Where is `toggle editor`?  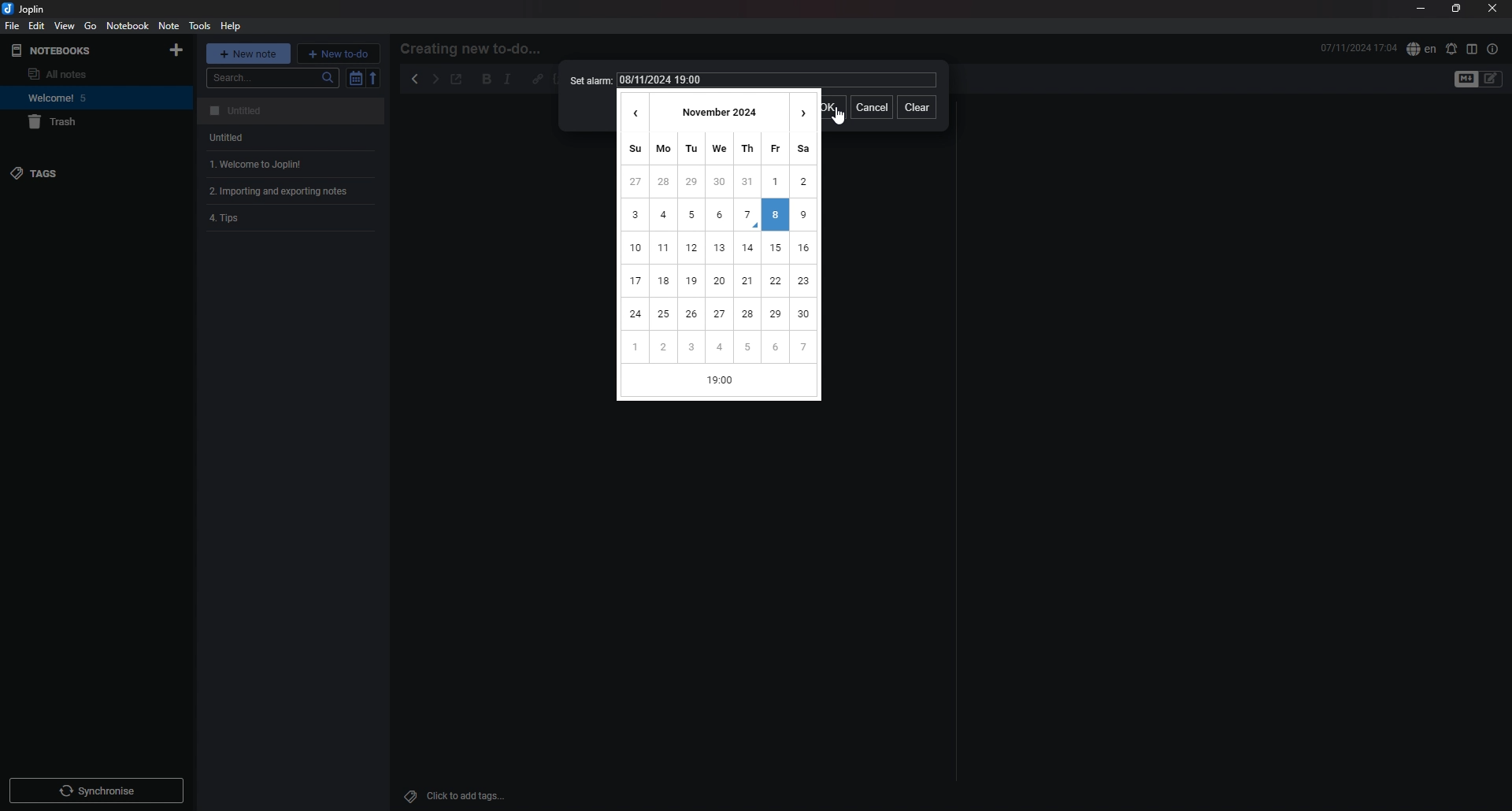
toggle editor is located at coordinates (1464, 80).